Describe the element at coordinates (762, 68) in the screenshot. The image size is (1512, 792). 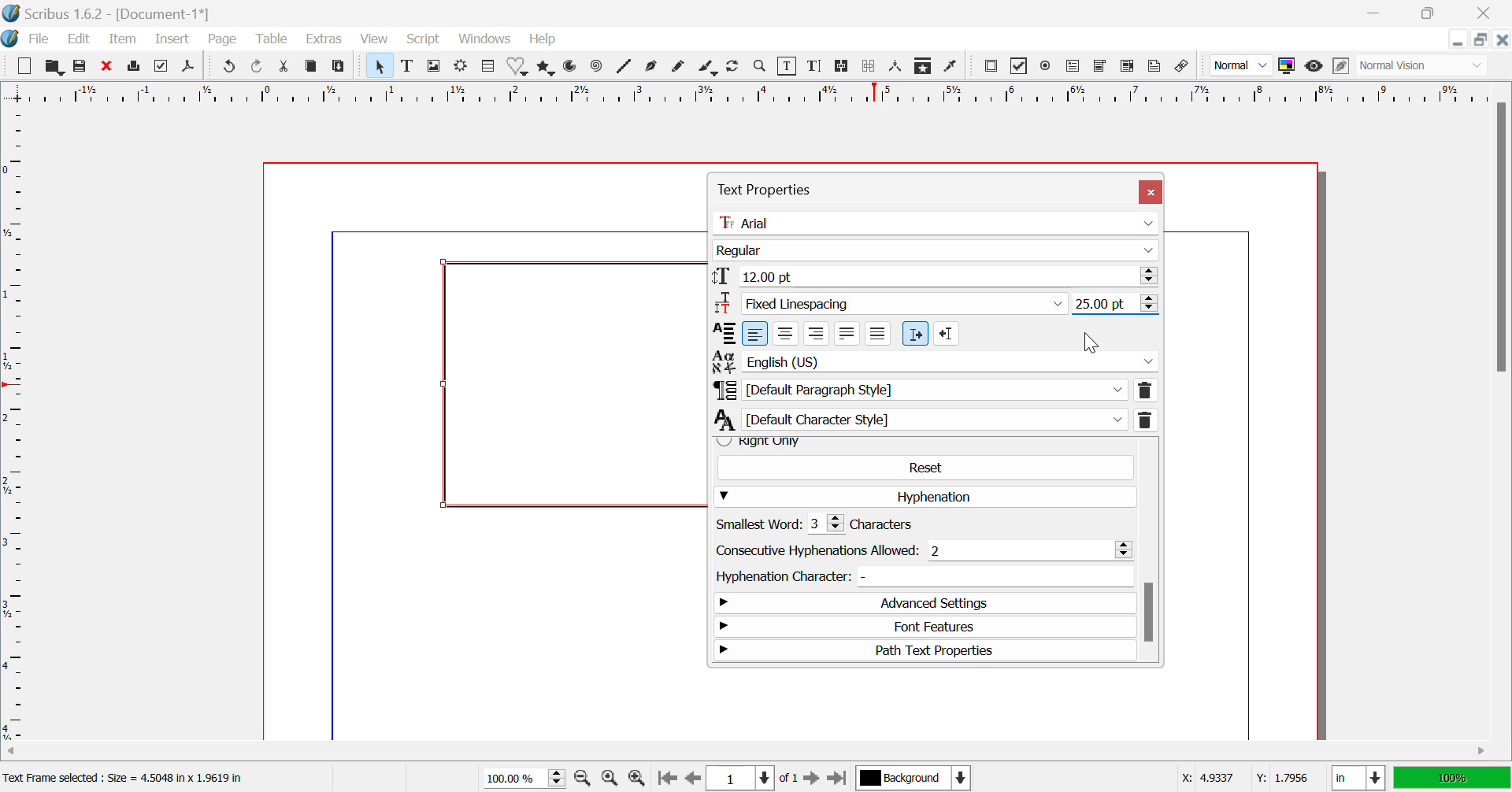
I see `Zoom` at that location.